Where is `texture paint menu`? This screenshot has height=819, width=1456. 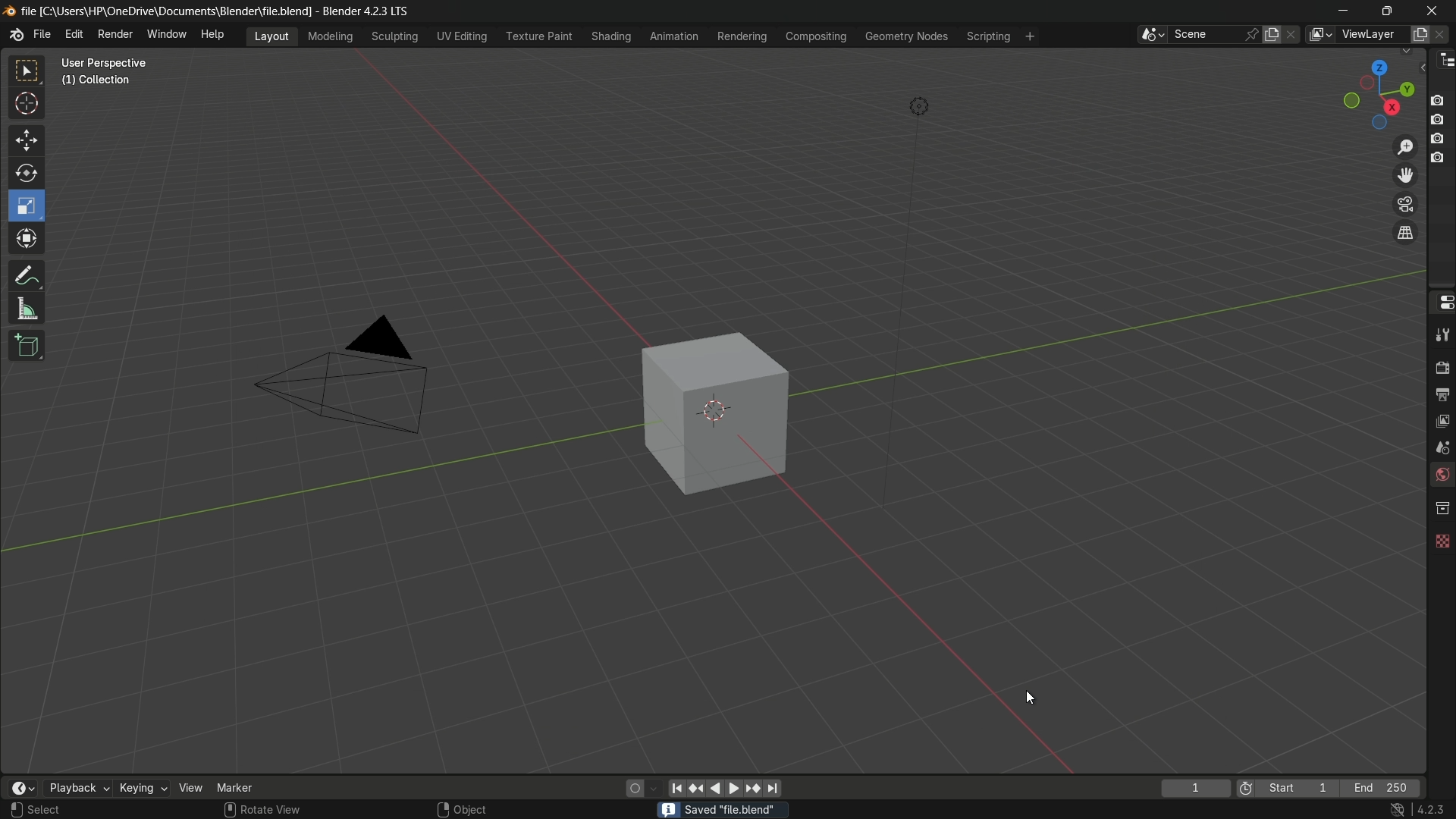 texture paint menu is located at coordinates (538, 35).